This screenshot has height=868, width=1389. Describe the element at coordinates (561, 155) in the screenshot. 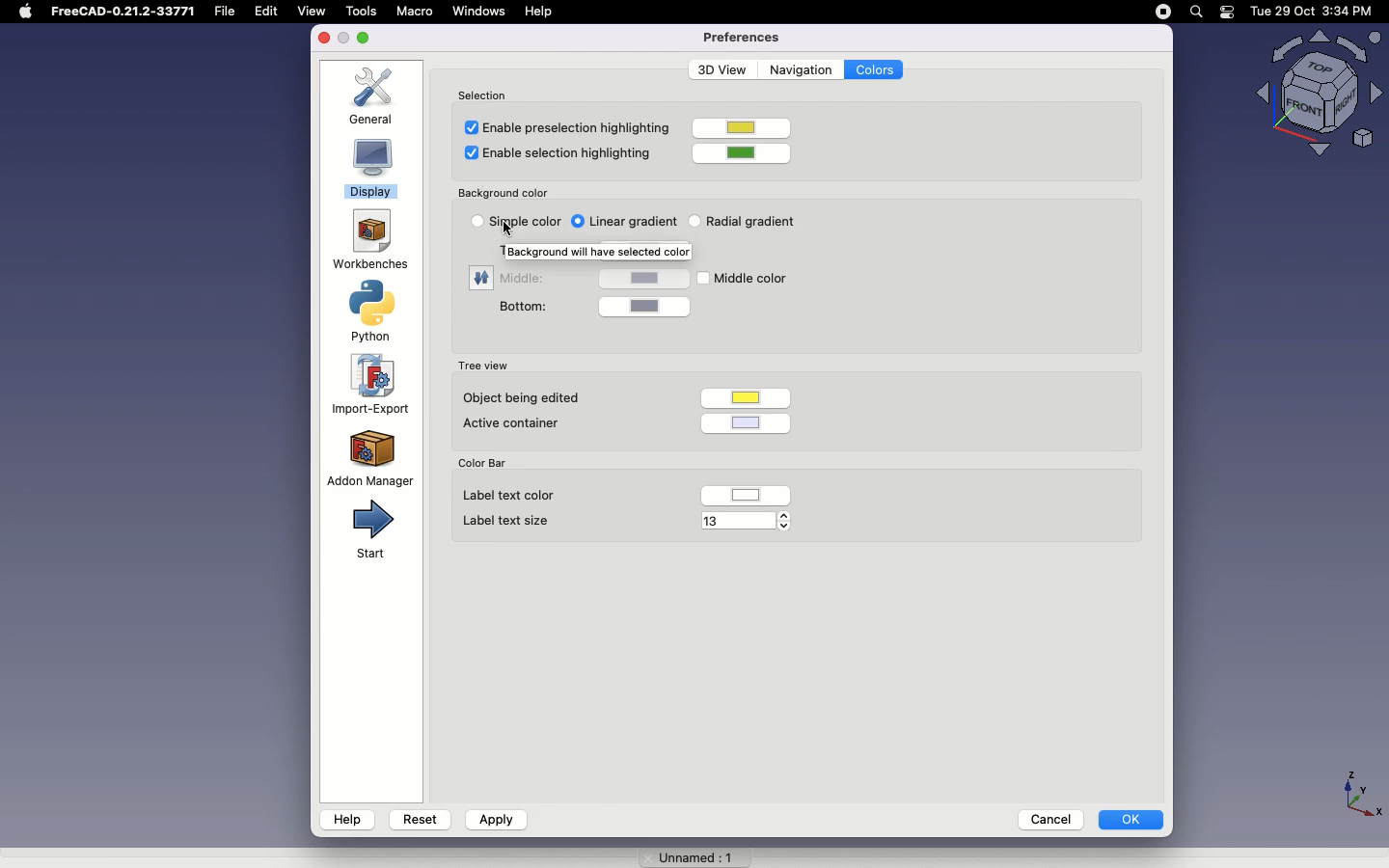

I see `Enable selection highlighting` at that location.